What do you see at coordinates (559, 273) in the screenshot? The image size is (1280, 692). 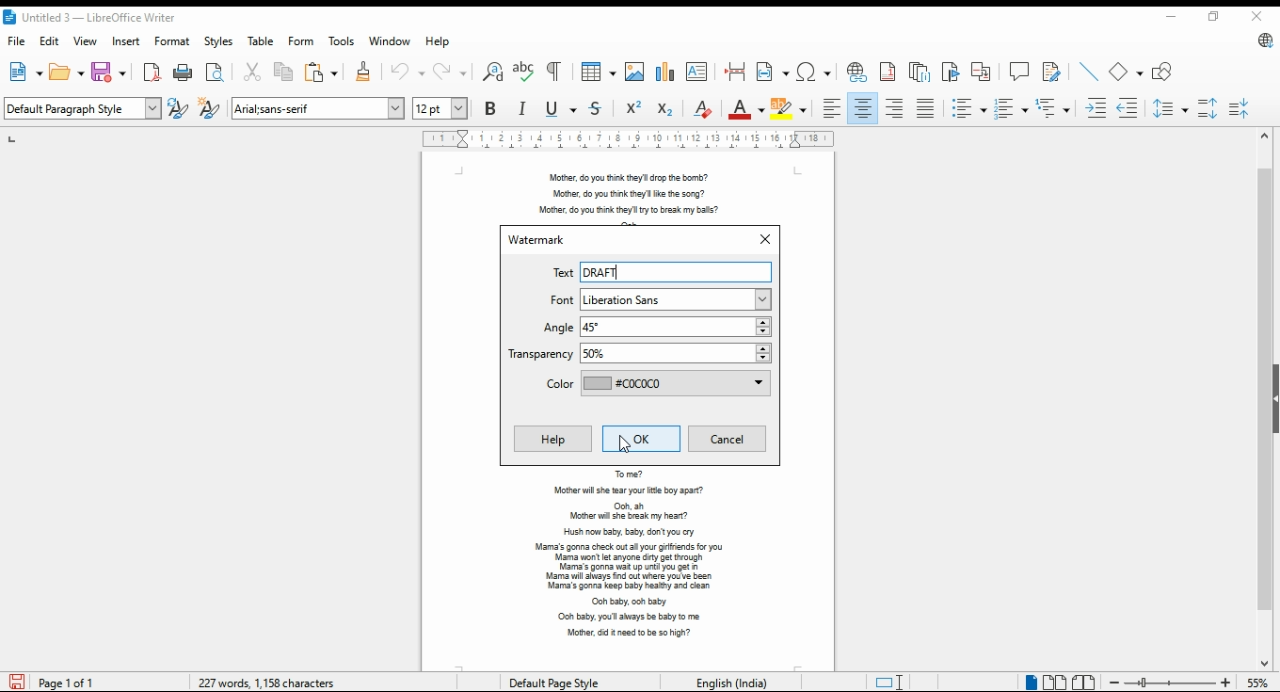 I see `text` at bounding box center [559, 273].